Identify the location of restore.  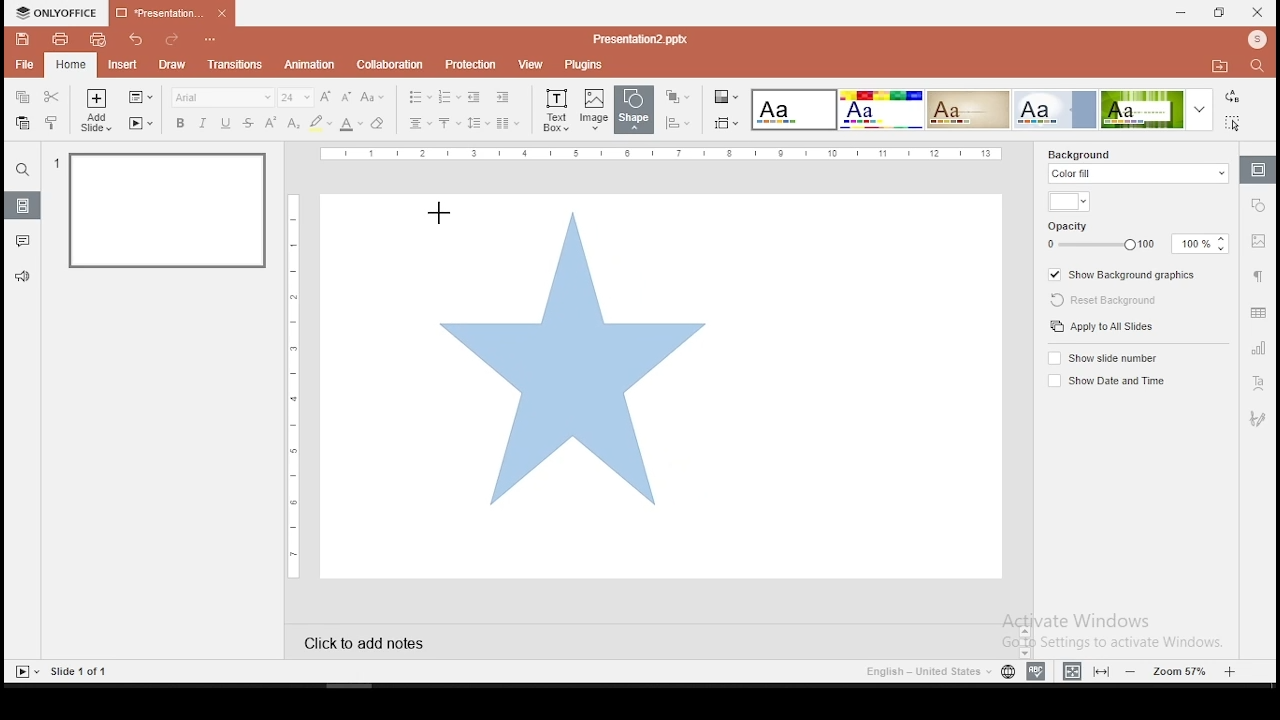
(1220, 13).